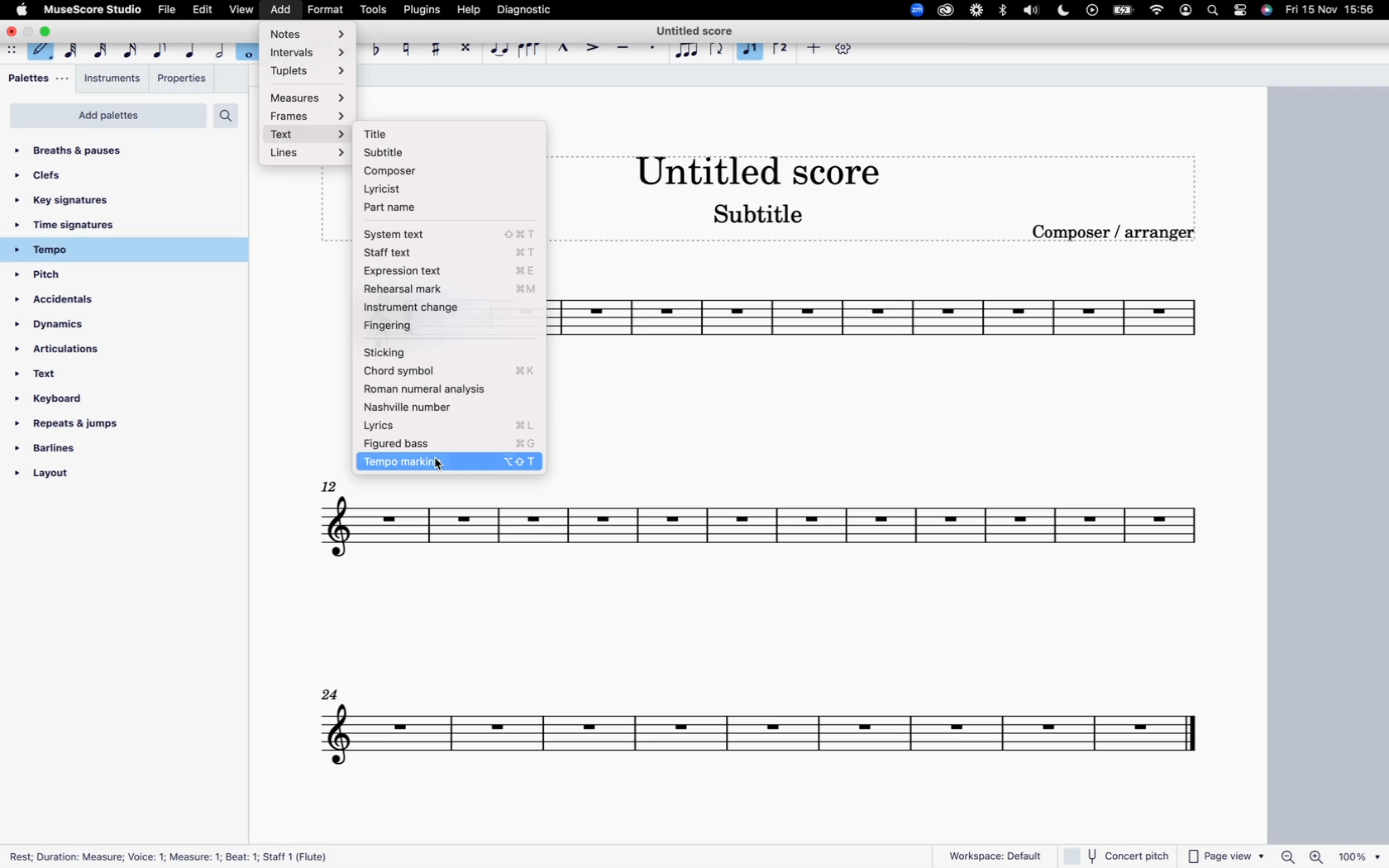 The image size is (1389, 868). Describe the element at coordinates (455, 251) in the screenshot. I see `staff text` at that location.